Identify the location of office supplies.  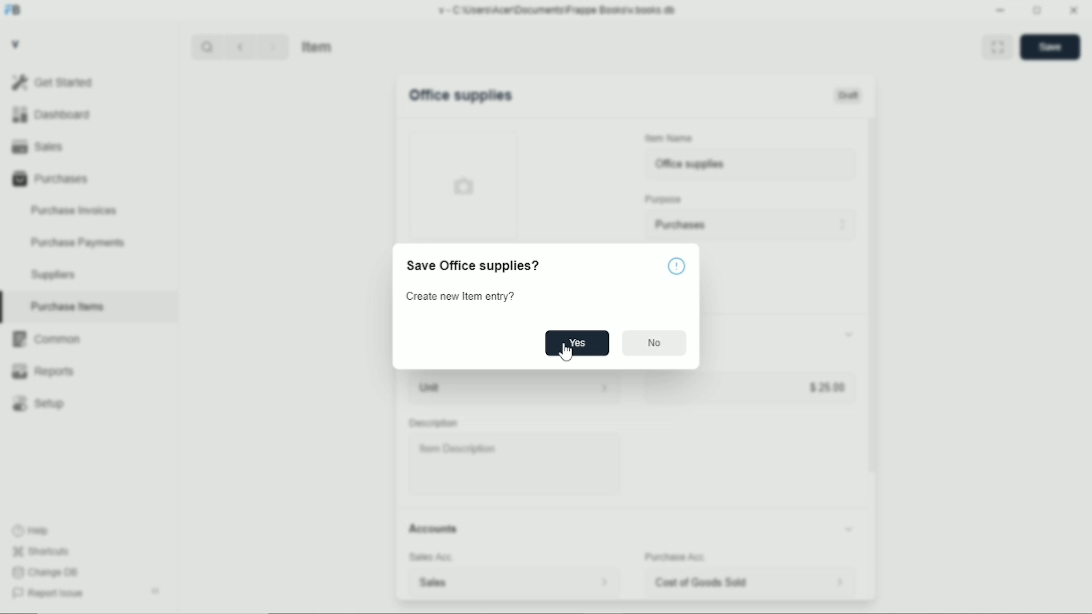
(460, 95).